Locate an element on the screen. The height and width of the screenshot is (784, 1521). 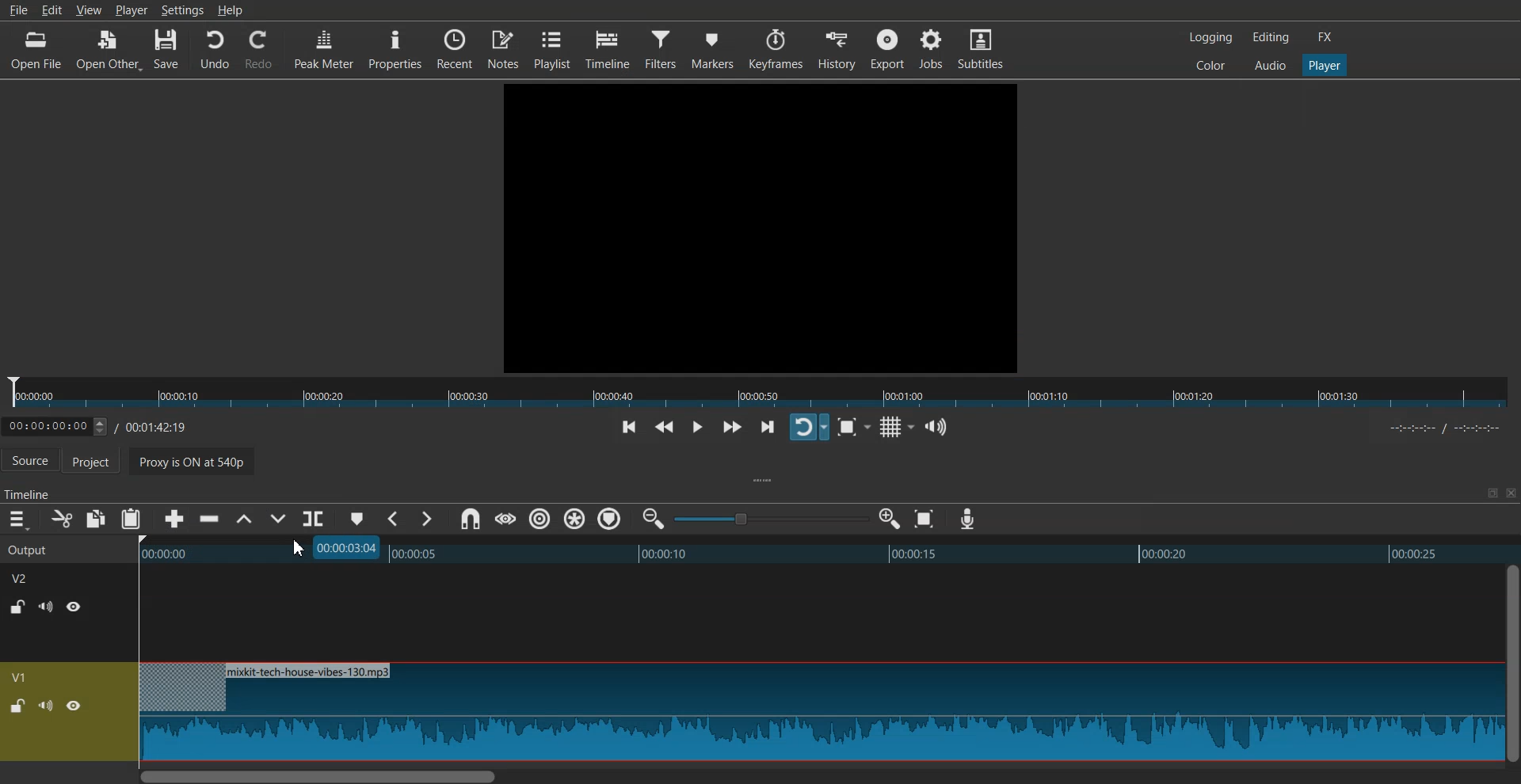
Ripple is located at coordinates (540, 519).